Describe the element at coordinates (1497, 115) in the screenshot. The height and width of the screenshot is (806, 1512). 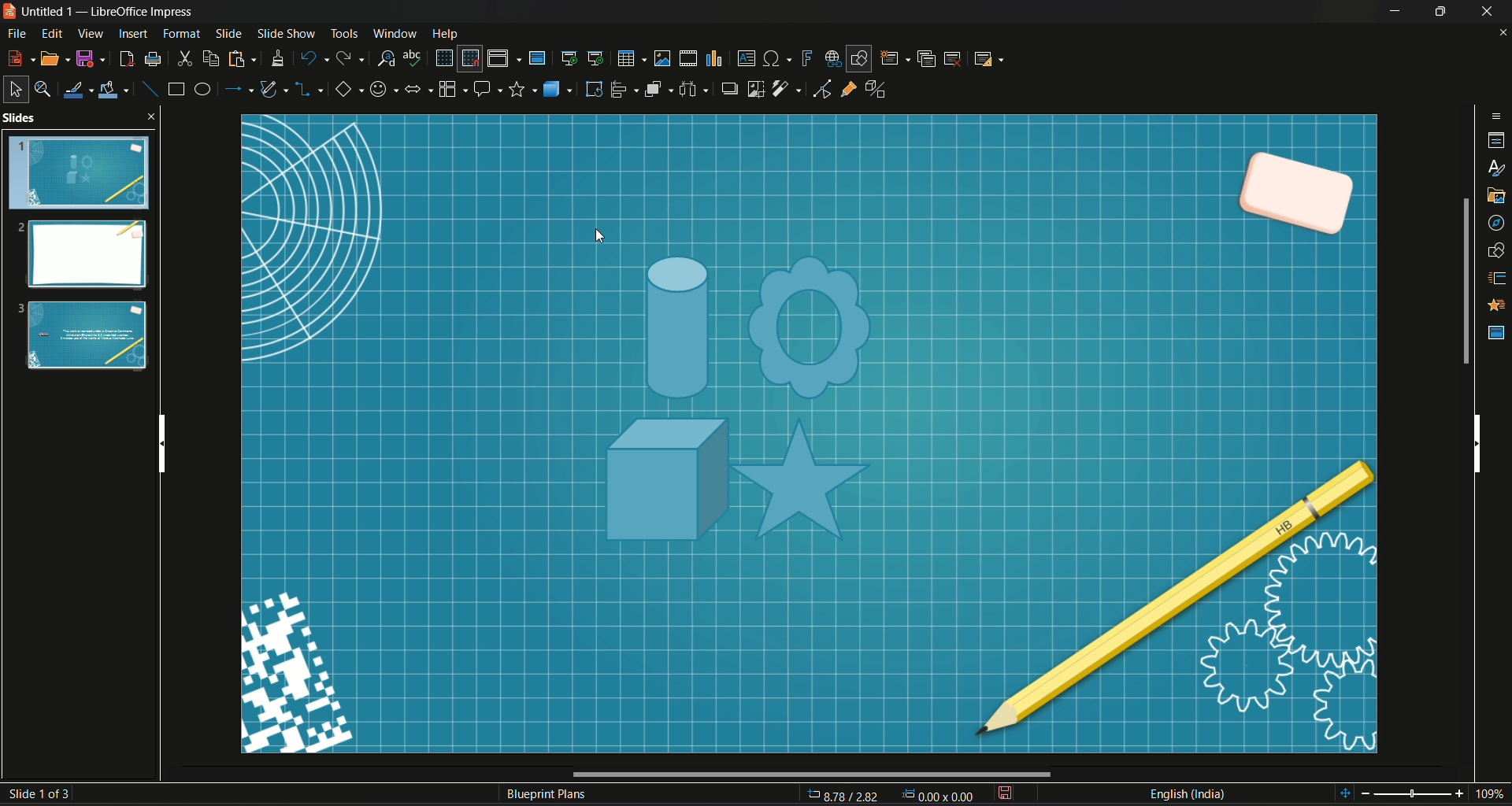
I see `sidebar options` at that location.